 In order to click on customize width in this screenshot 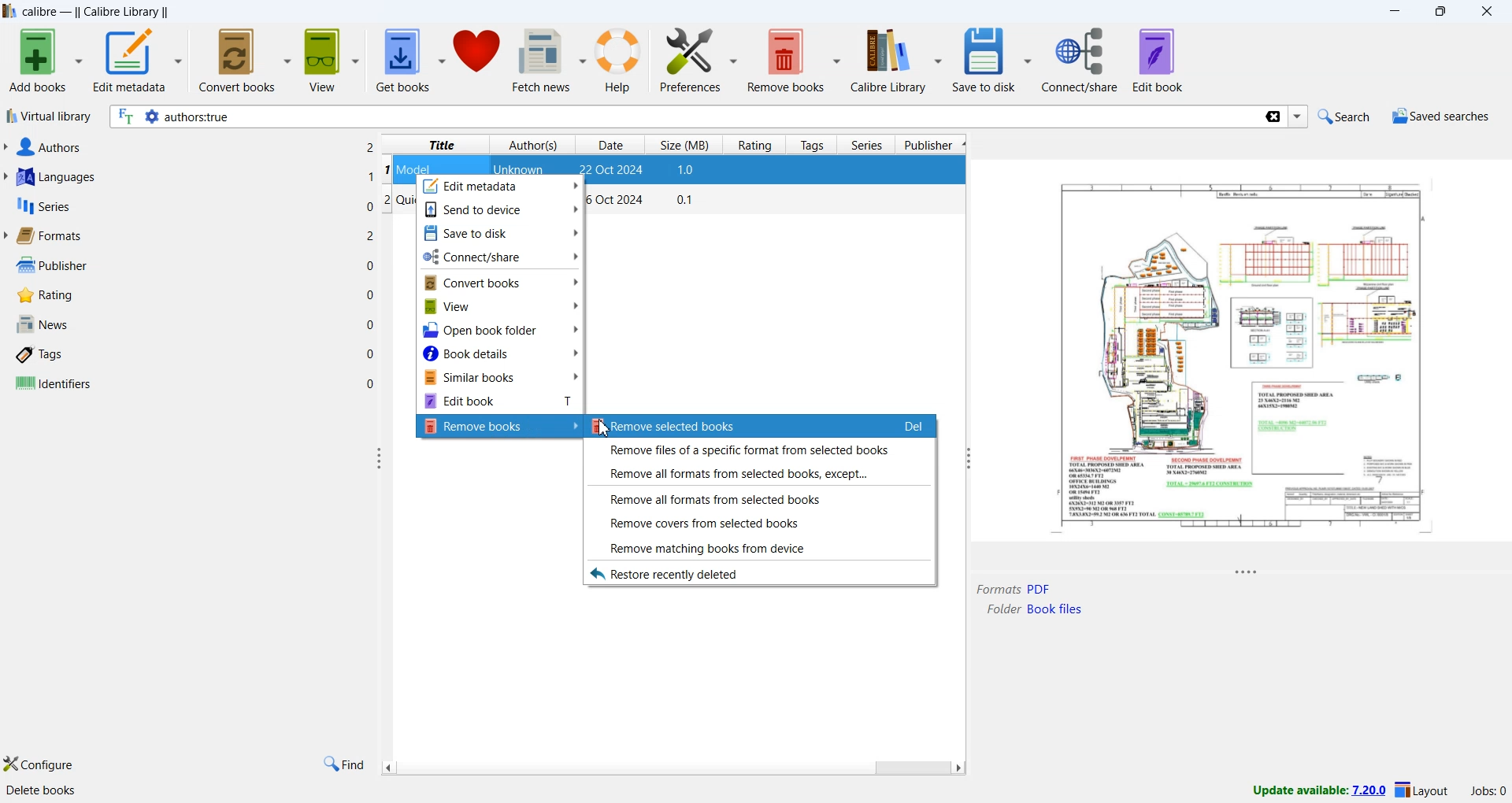, I will do `click(380, 458)`.